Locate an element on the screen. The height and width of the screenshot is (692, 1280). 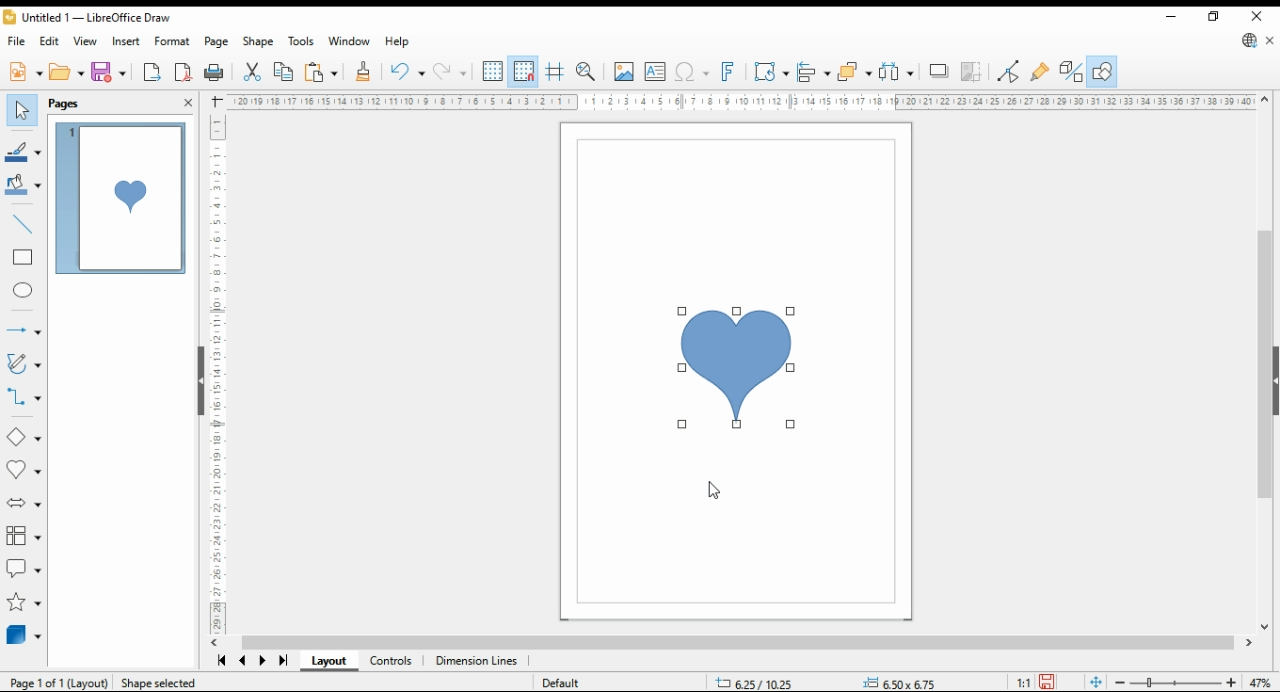
close formatting is located at coordinates (364, 71).